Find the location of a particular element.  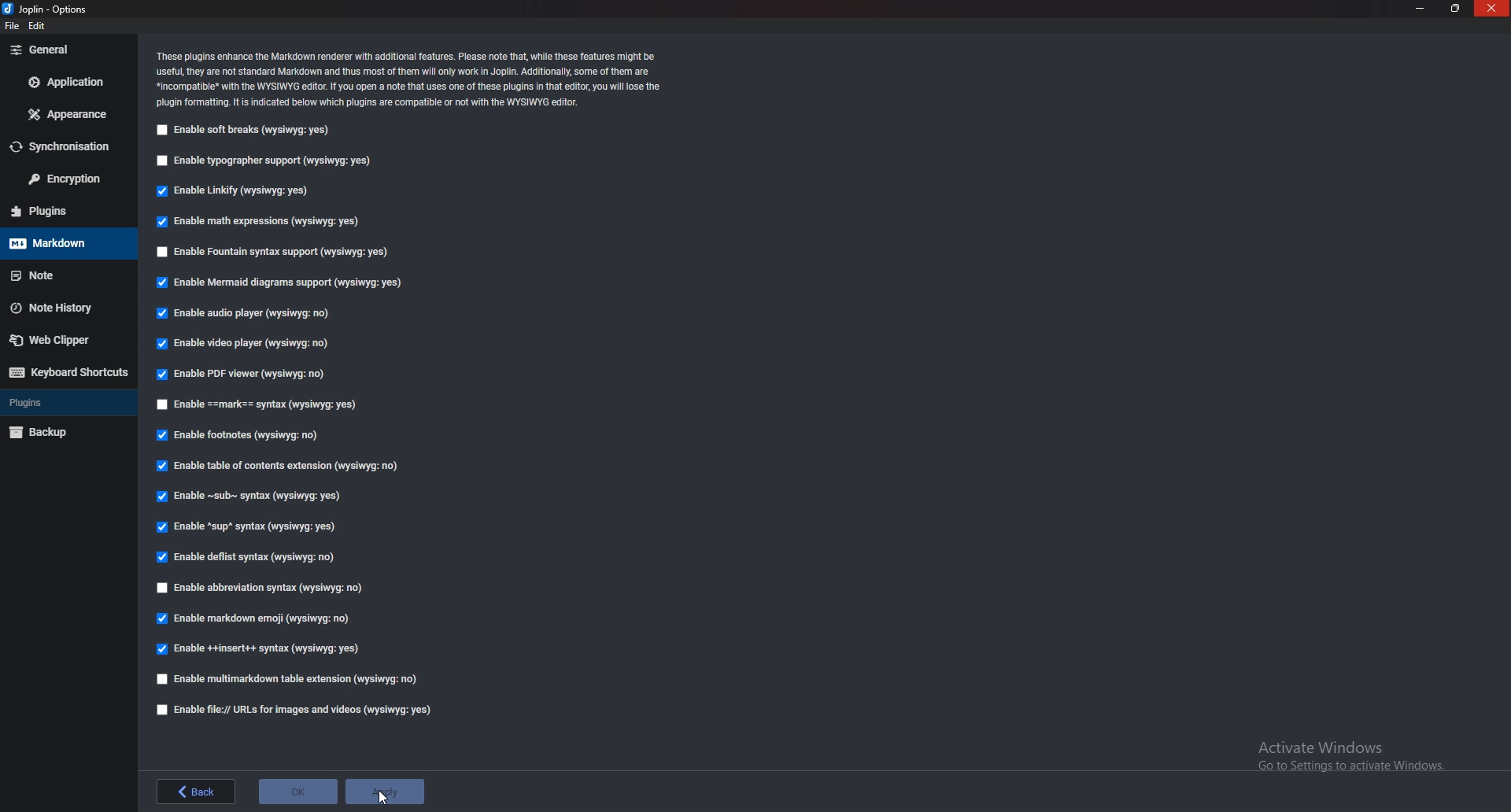

Enable fountain syntax support is located at coordinates (275, 251).